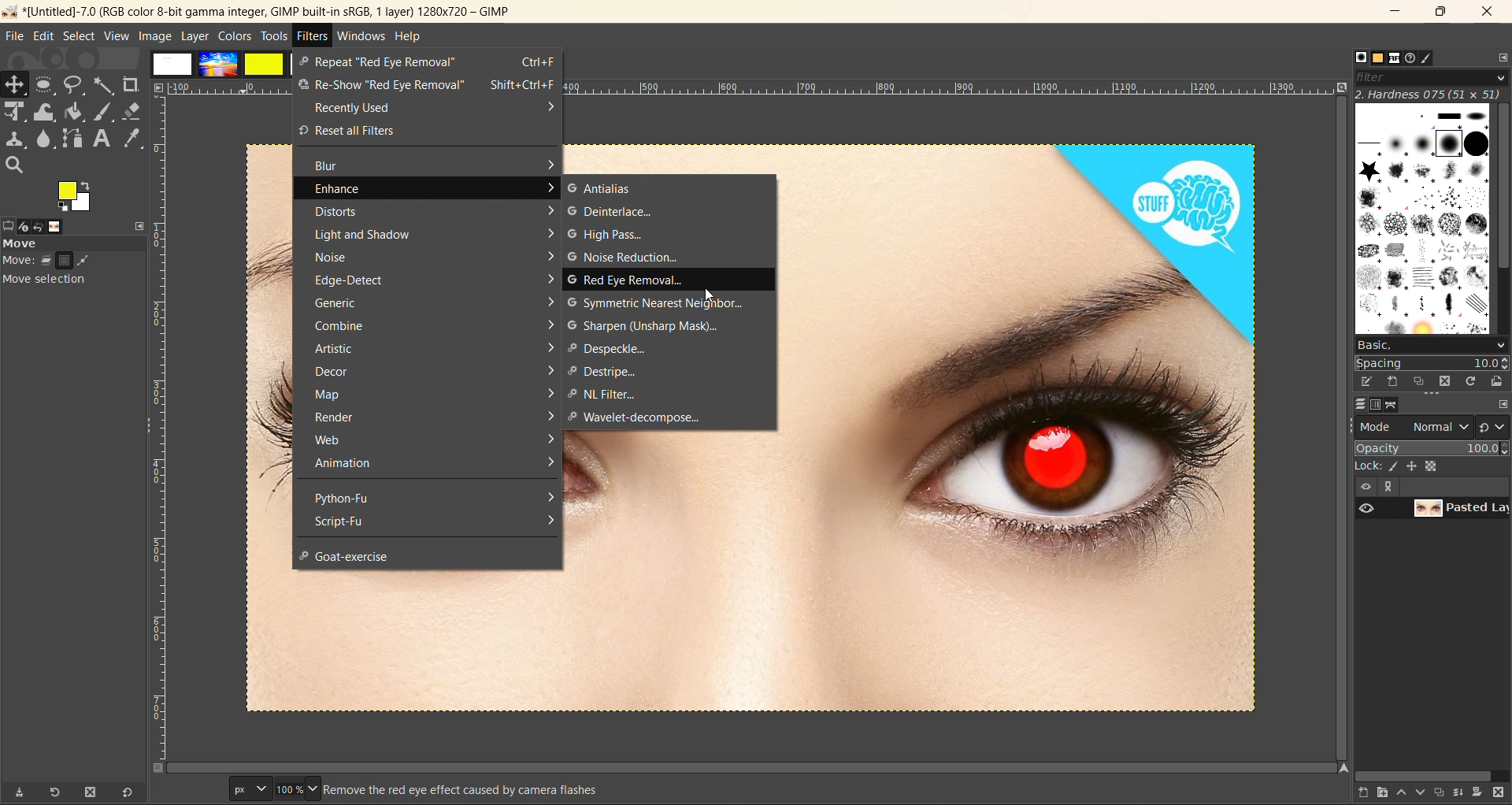 This screenshot has height=805, width=1512. Describe the element at coordinates (613, 349) in the screenshot. I see `despeckle` at that location.